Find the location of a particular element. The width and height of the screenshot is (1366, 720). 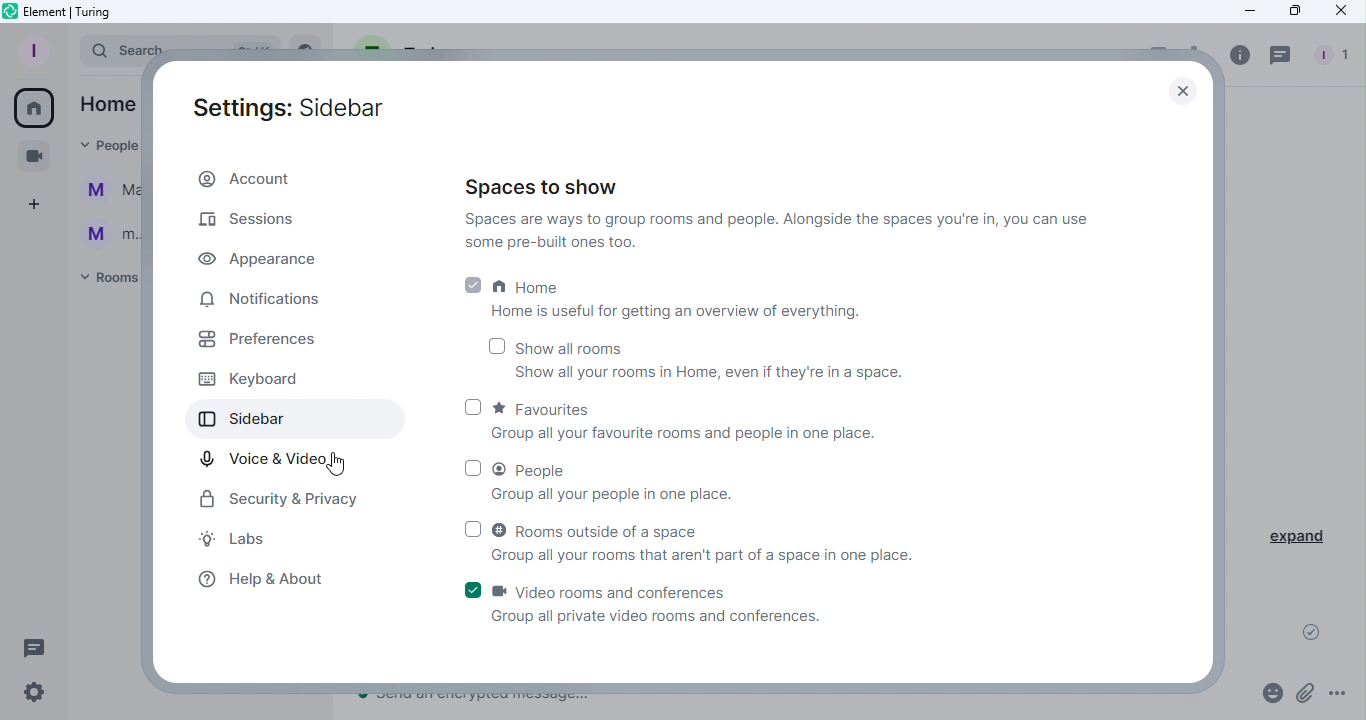

Video and conferences is located at coordinates (704, 600).